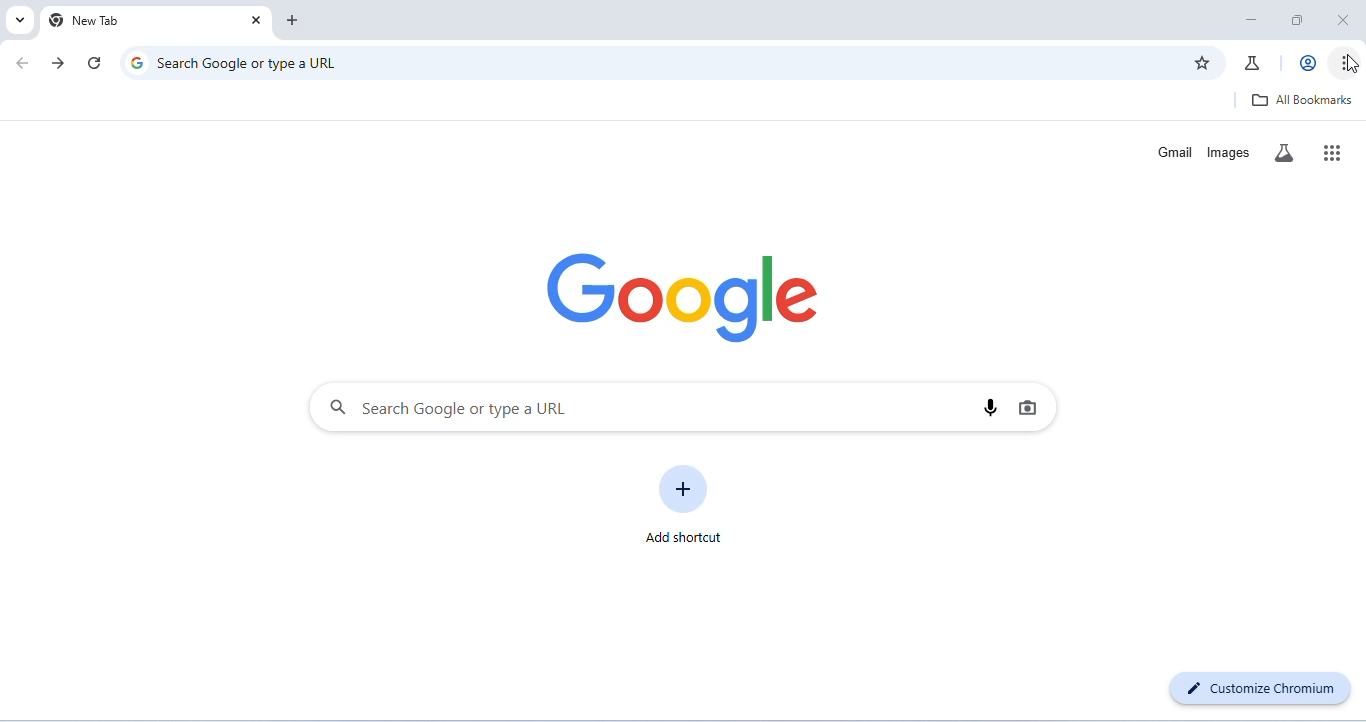 The width and height of the screenshot is (1366, 722). What do you see at coordinates (643, 408) in the screenshot?
I see `search google or type a URL` at bounding box center [643, 408].